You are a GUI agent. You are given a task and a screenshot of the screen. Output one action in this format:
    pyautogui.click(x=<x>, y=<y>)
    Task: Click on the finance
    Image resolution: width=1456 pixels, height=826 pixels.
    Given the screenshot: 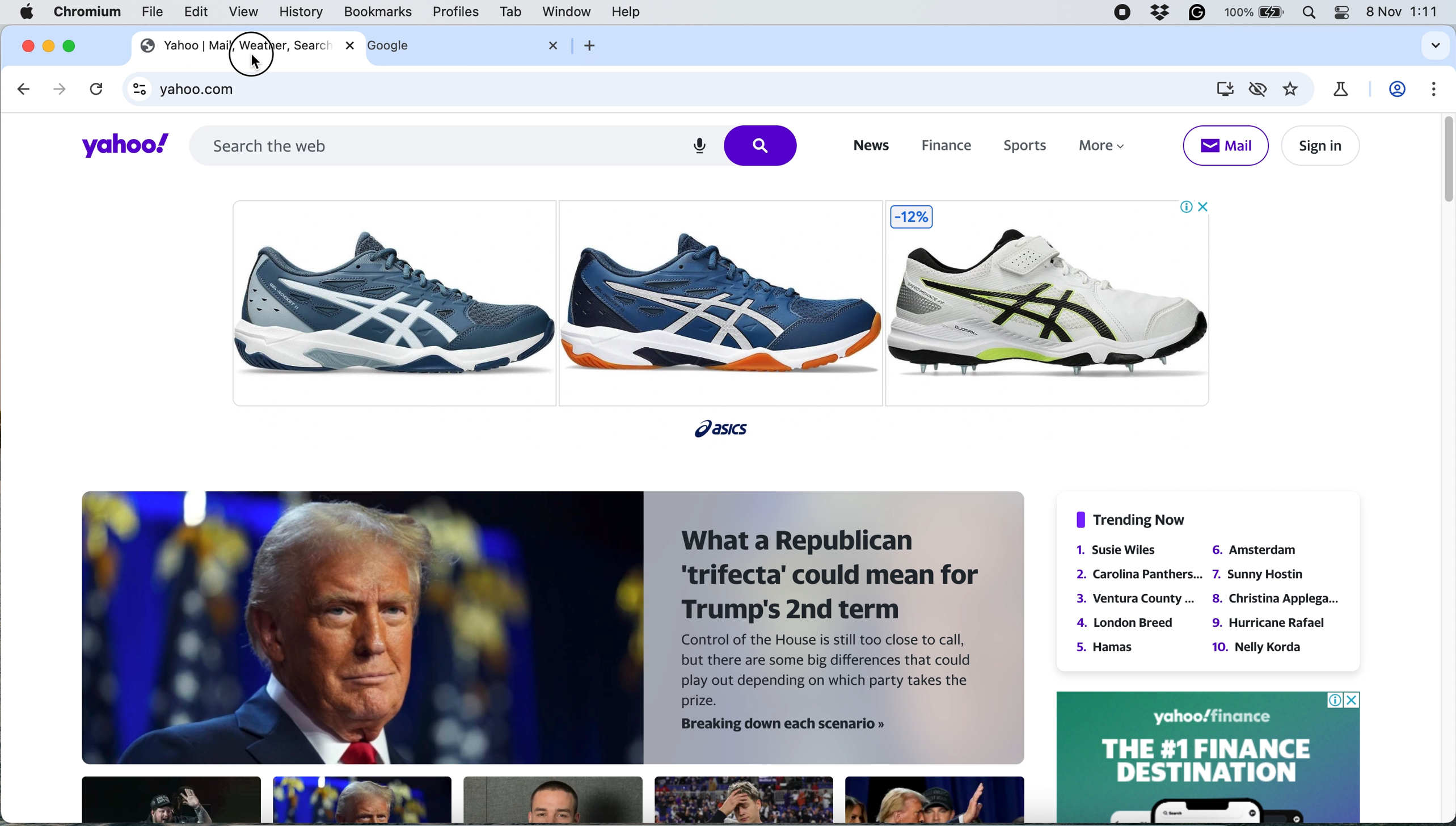 What is the action you would take?
    pyautogui.click(x=944, y=147)
    